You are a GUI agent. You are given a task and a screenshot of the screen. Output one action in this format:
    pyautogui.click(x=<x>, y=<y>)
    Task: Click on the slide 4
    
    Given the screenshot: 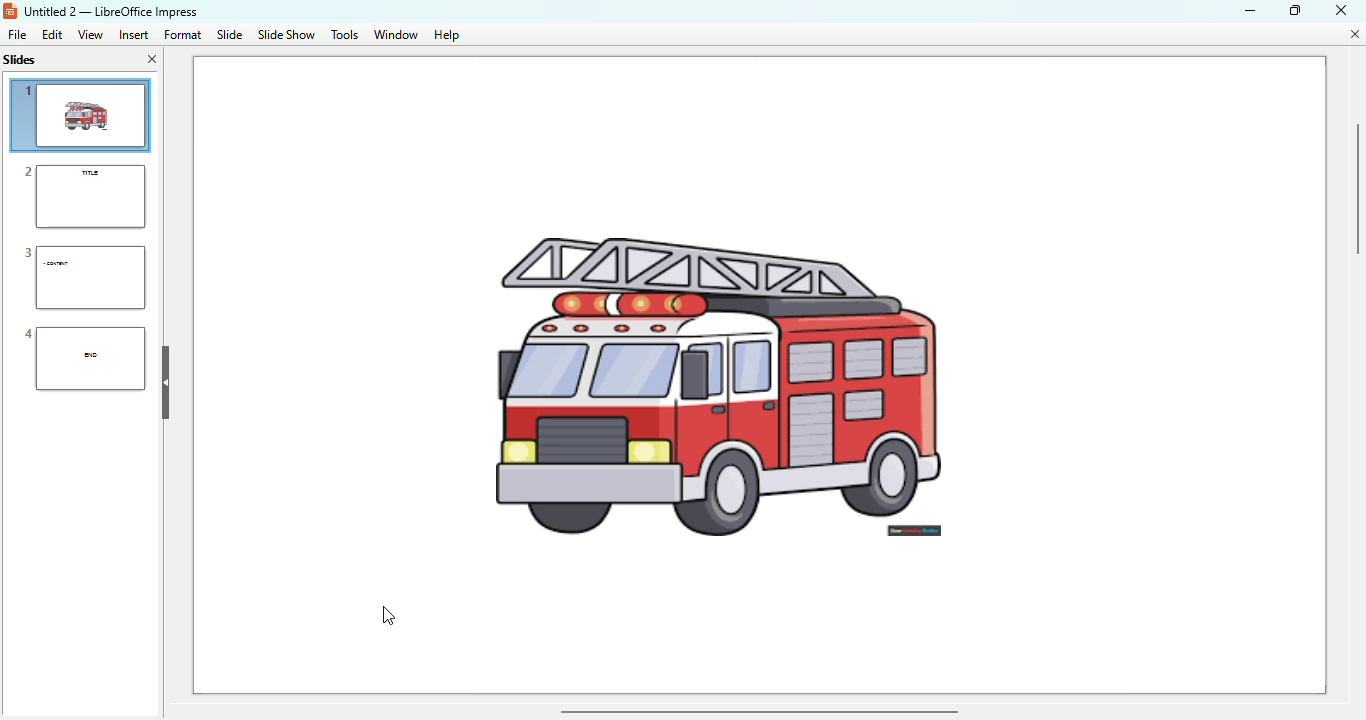 What is the action you would take?
    pyautogui.click(x=84, y=358)
    